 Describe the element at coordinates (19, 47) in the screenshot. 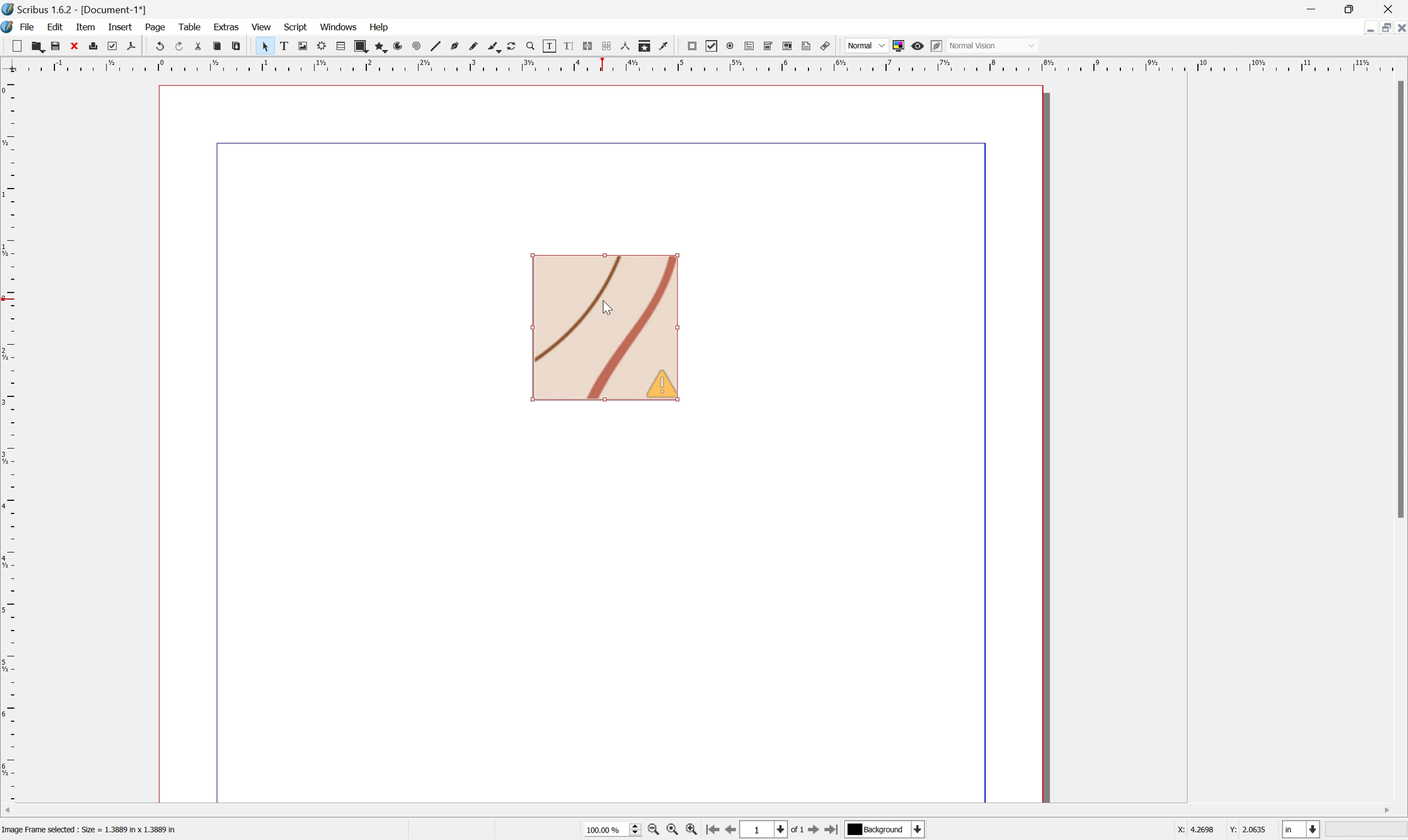

I see `New` at that location.